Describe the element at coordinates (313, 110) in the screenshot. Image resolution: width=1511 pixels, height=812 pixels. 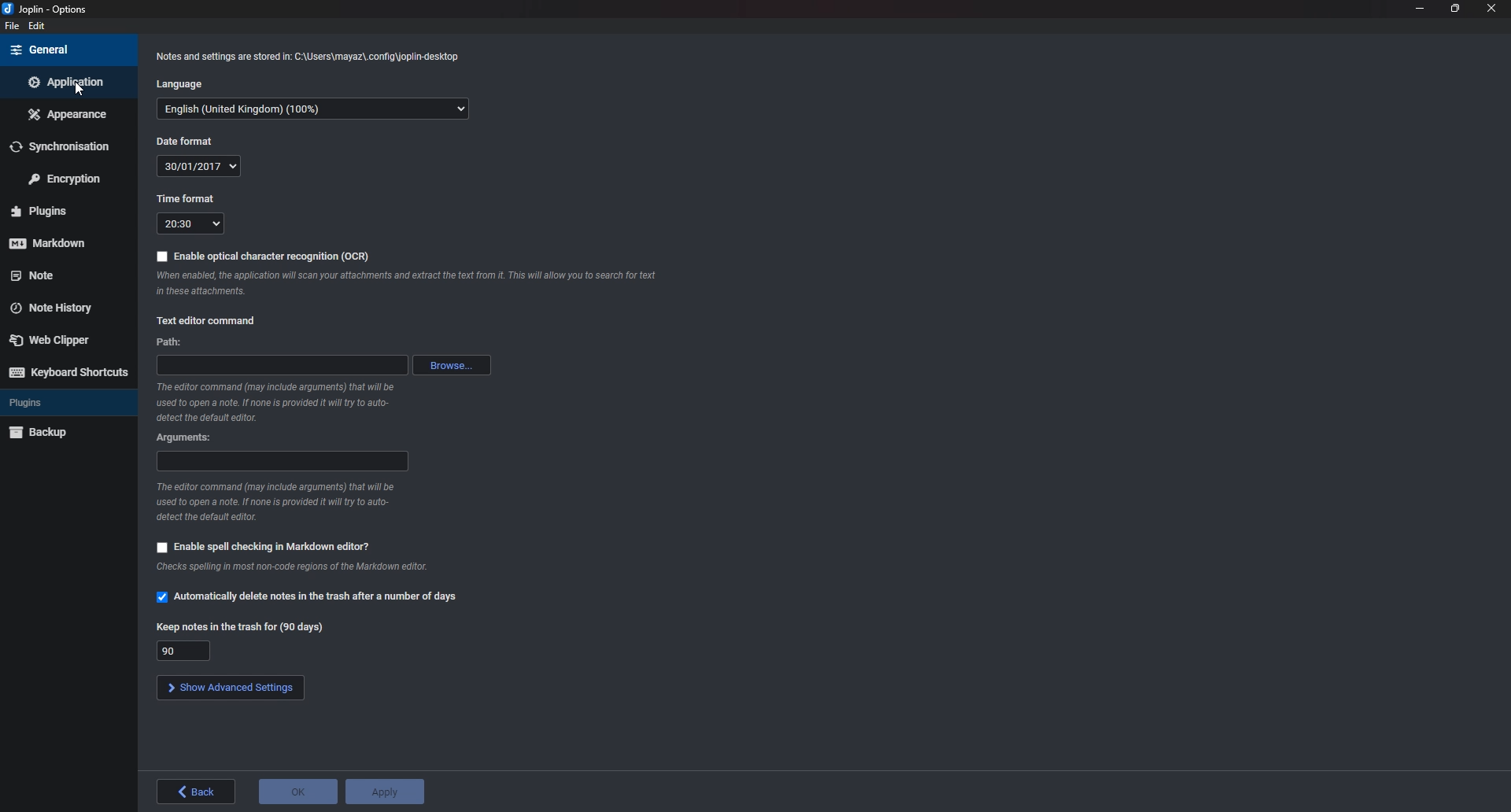
I see `Language` at that location.